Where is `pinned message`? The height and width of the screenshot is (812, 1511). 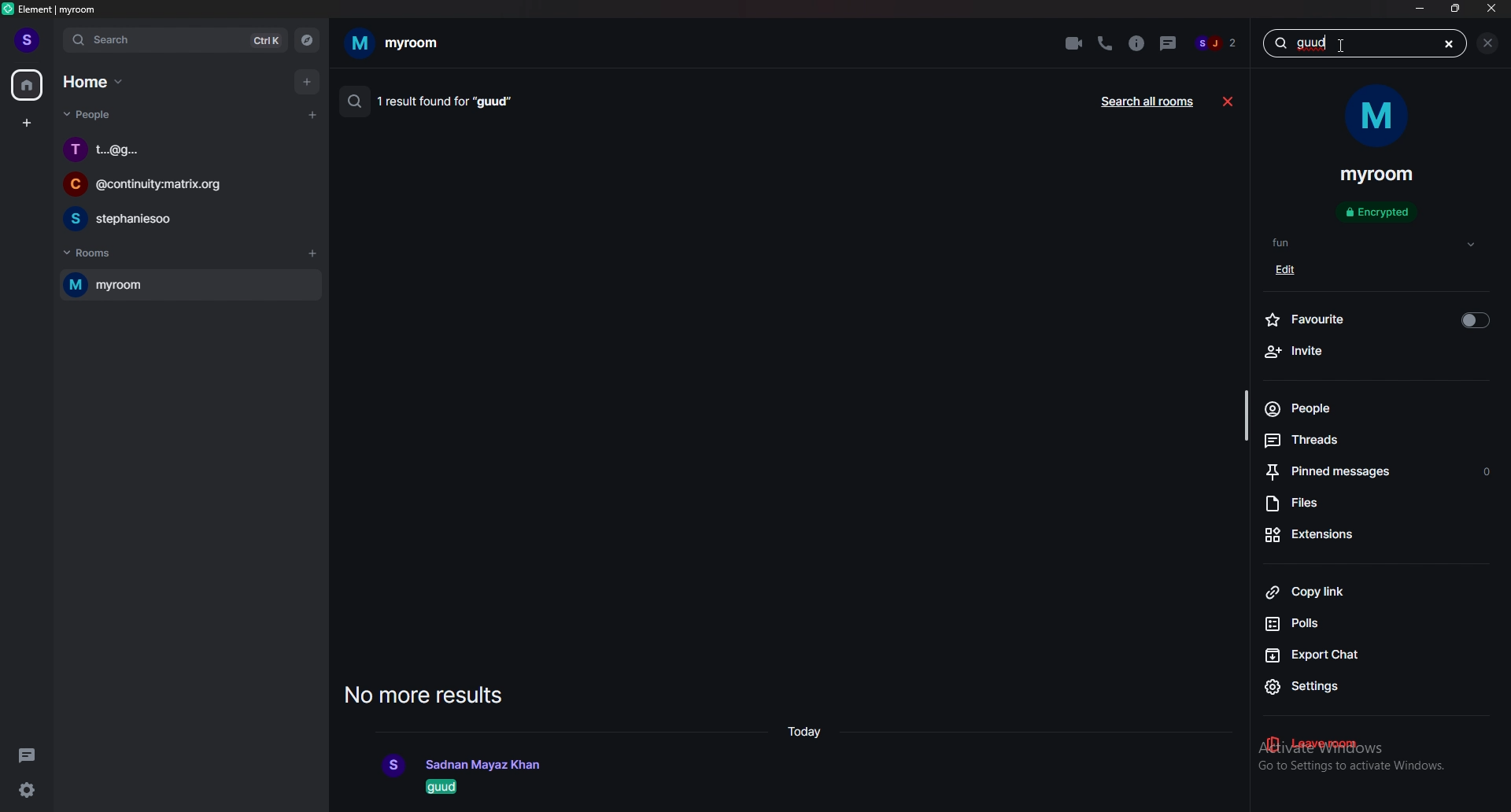
pinned message is located at coordinates (1380, 474).